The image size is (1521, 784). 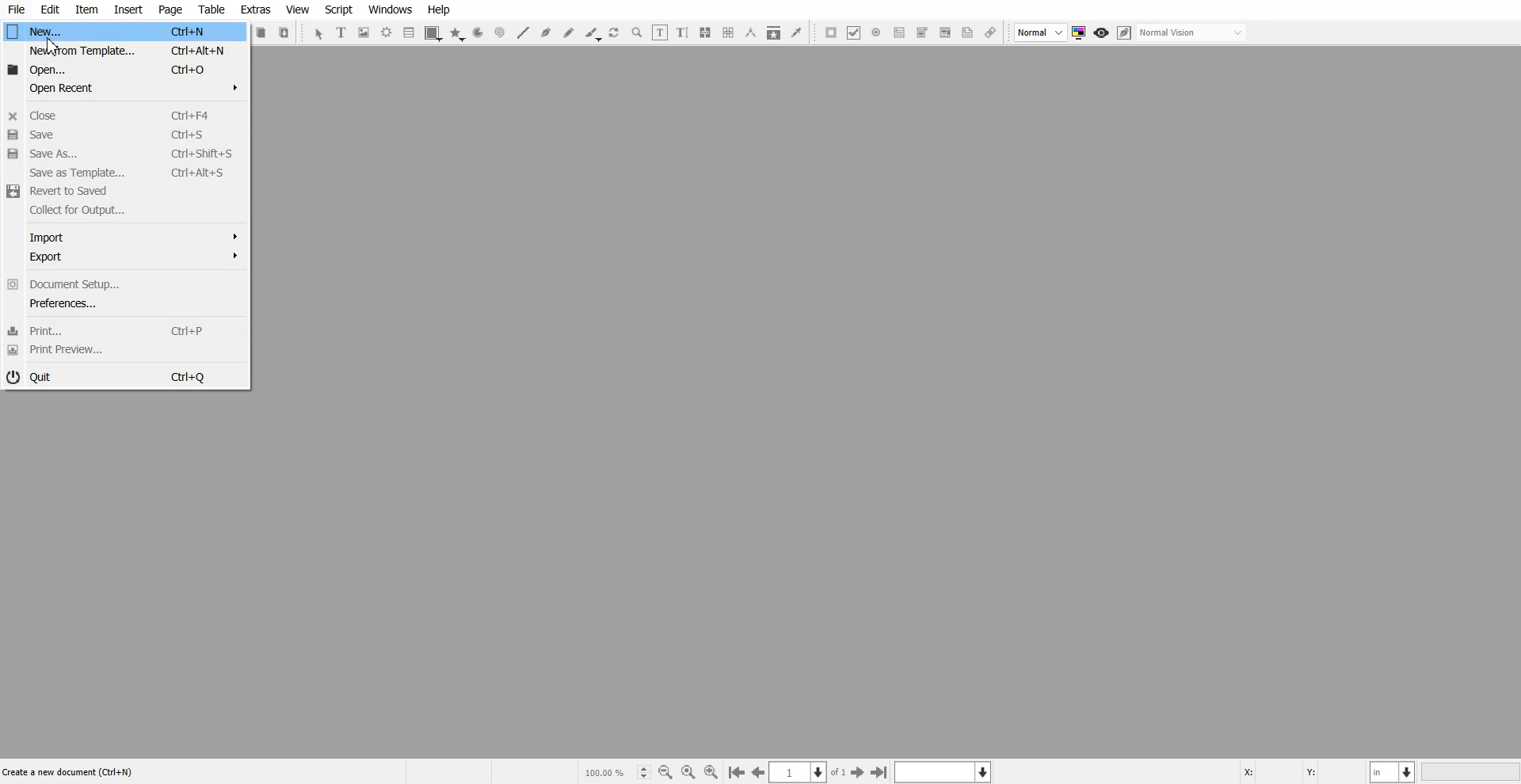 I want to click on Script, so click(x=339, y=10).